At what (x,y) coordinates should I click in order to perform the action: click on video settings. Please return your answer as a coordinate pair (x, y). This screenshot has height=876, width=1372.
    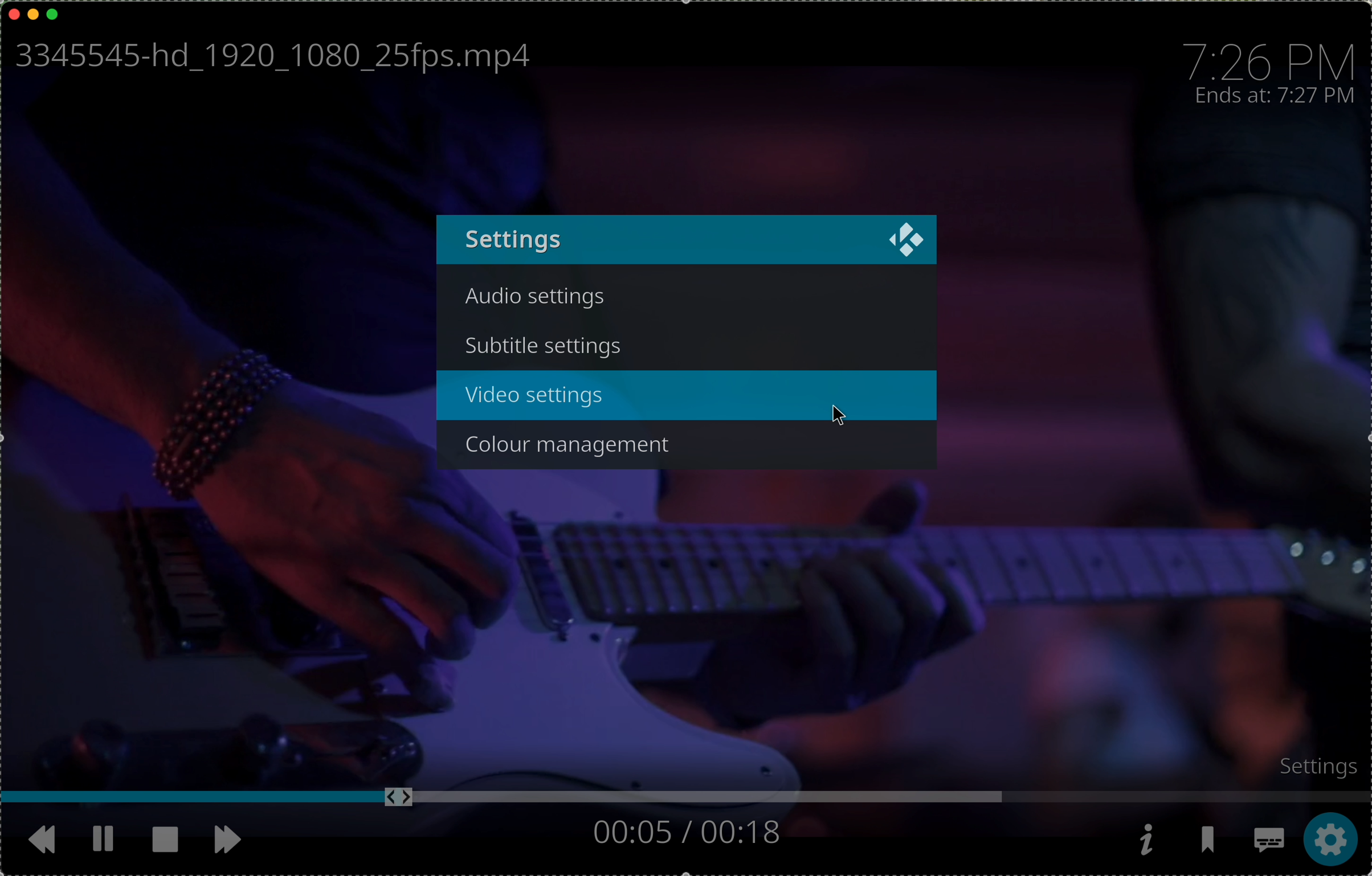
    Looking at the image, I should click on (536, 397).